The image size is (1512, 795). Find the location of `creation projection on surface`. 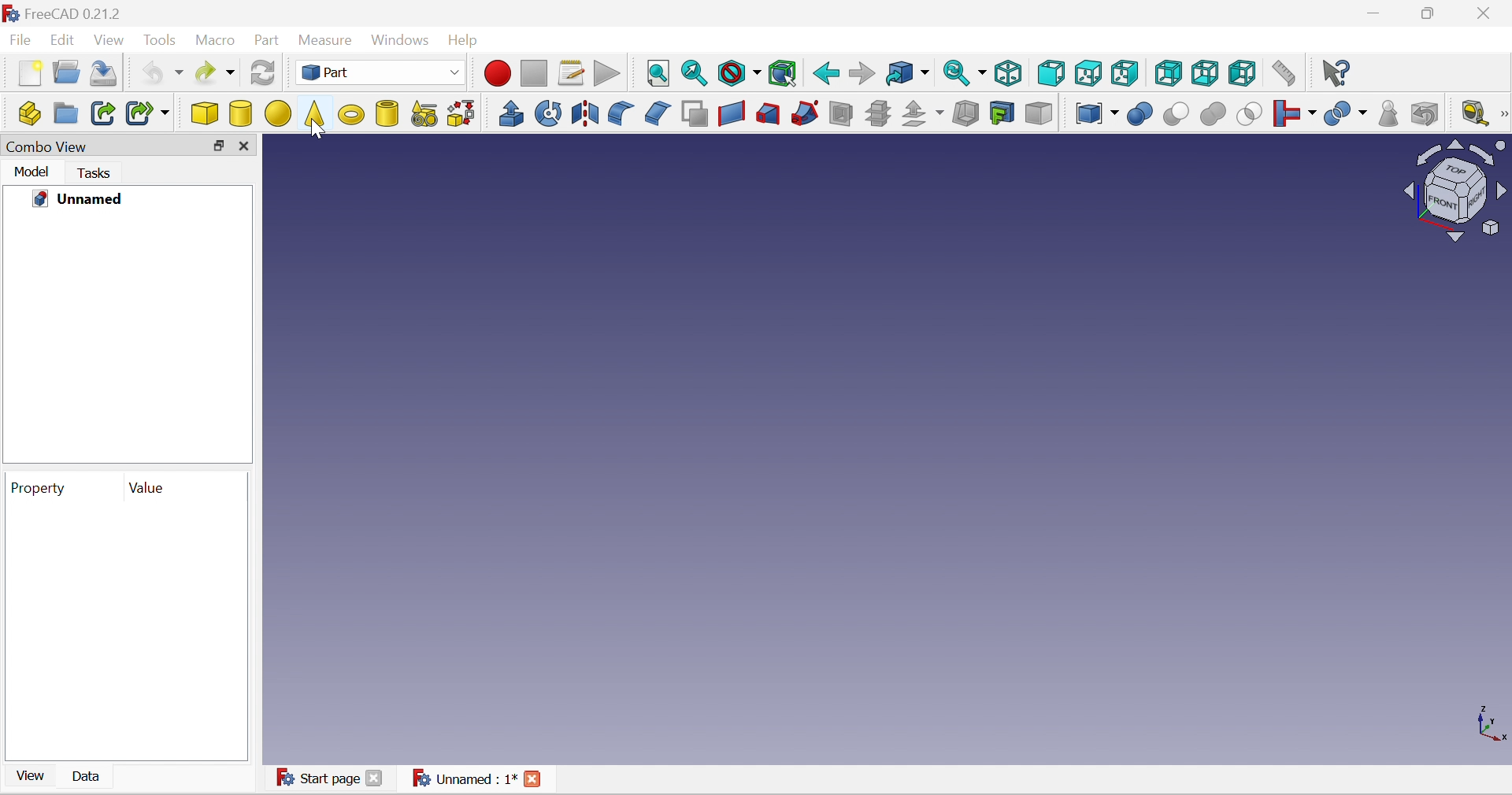

creation projection on surface is located at coordinates (1002, 113).